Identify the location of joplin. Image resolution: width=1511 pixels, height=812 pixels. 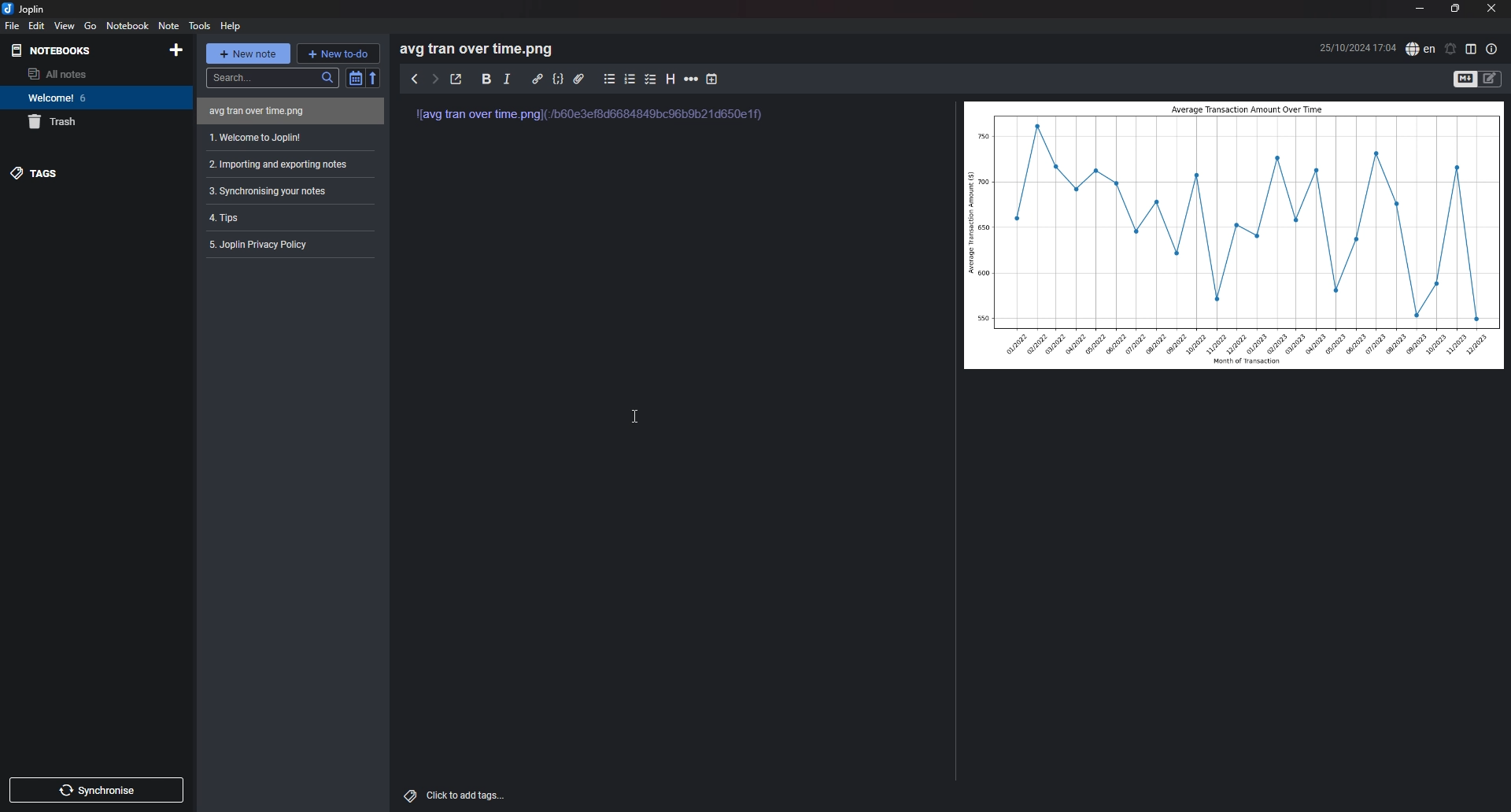
(26, 9).